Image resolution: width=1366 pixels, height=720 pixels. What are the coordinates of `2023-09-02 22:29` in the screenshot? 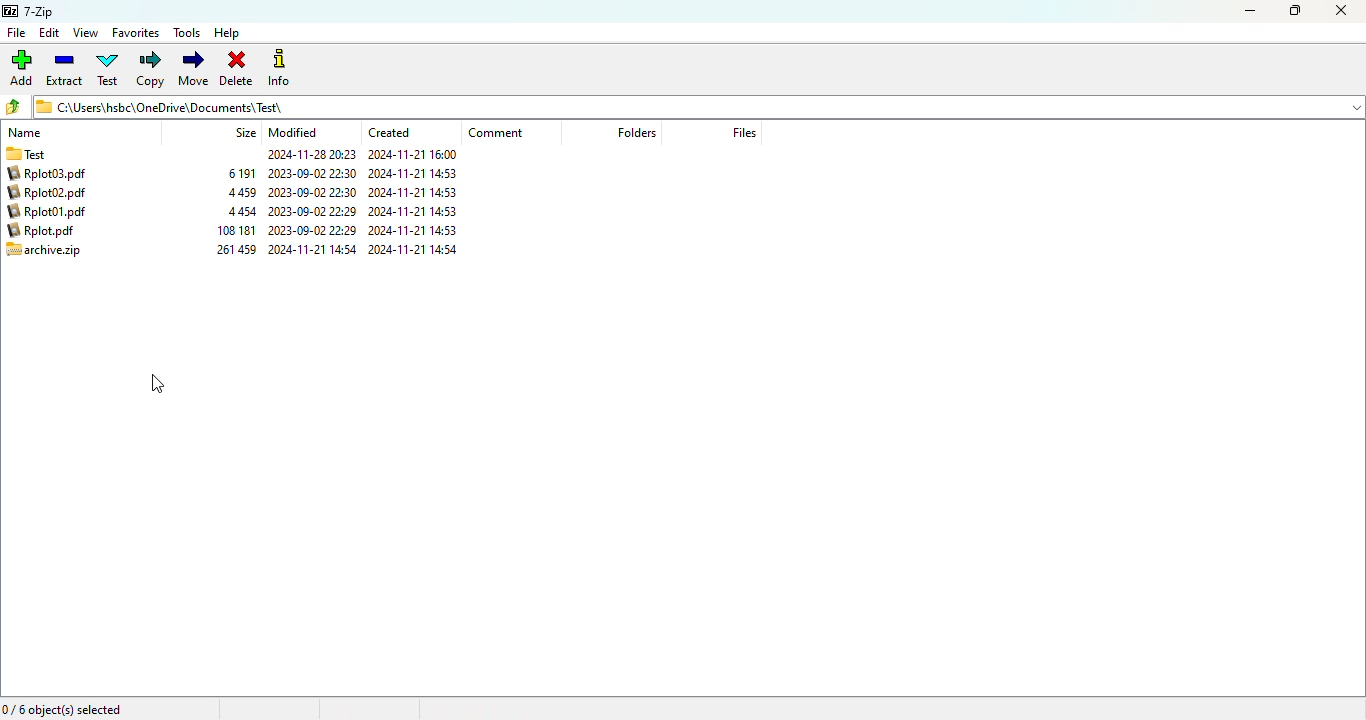 It's located at (315, 231).